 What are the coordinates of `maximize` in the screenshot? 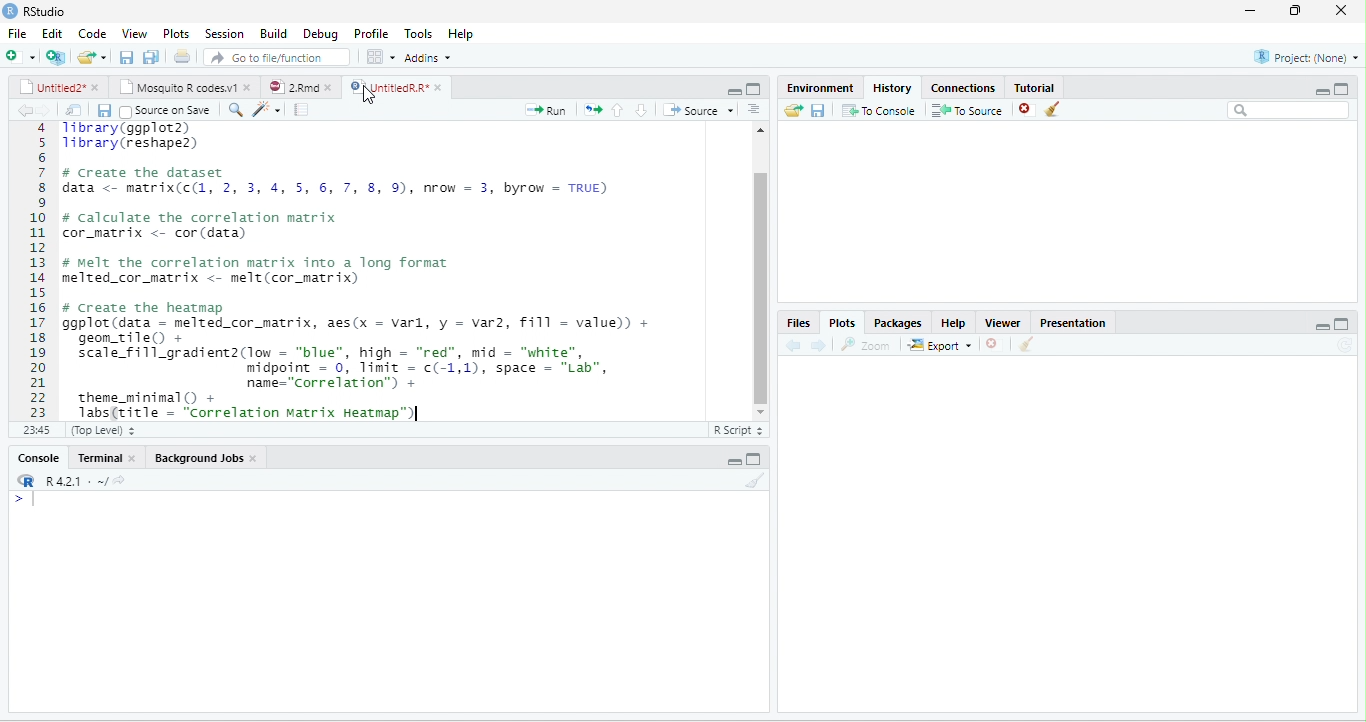 It's located at (755, 459).